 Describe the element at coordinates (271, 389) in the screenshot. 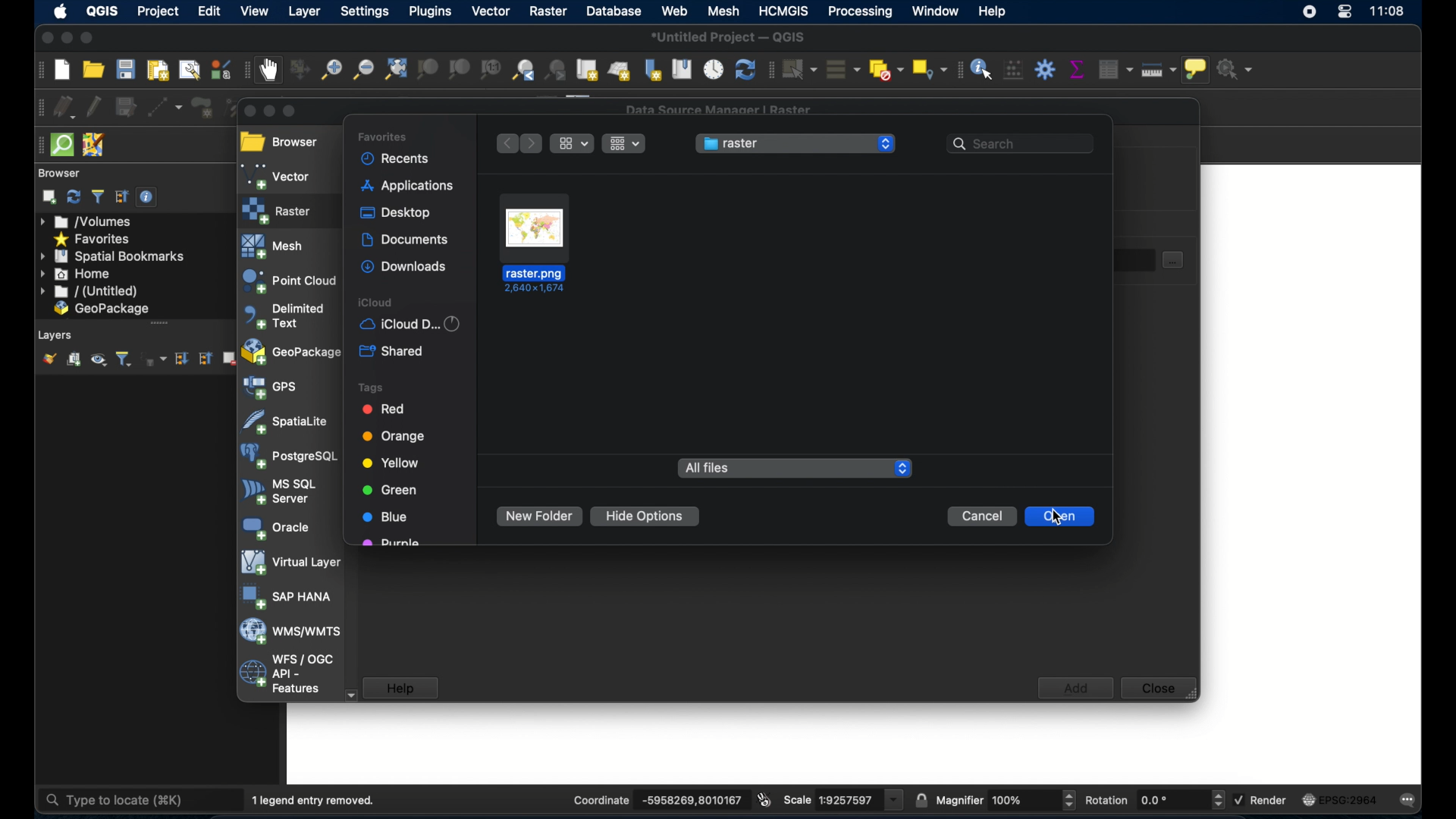

I see `gps` at that location.